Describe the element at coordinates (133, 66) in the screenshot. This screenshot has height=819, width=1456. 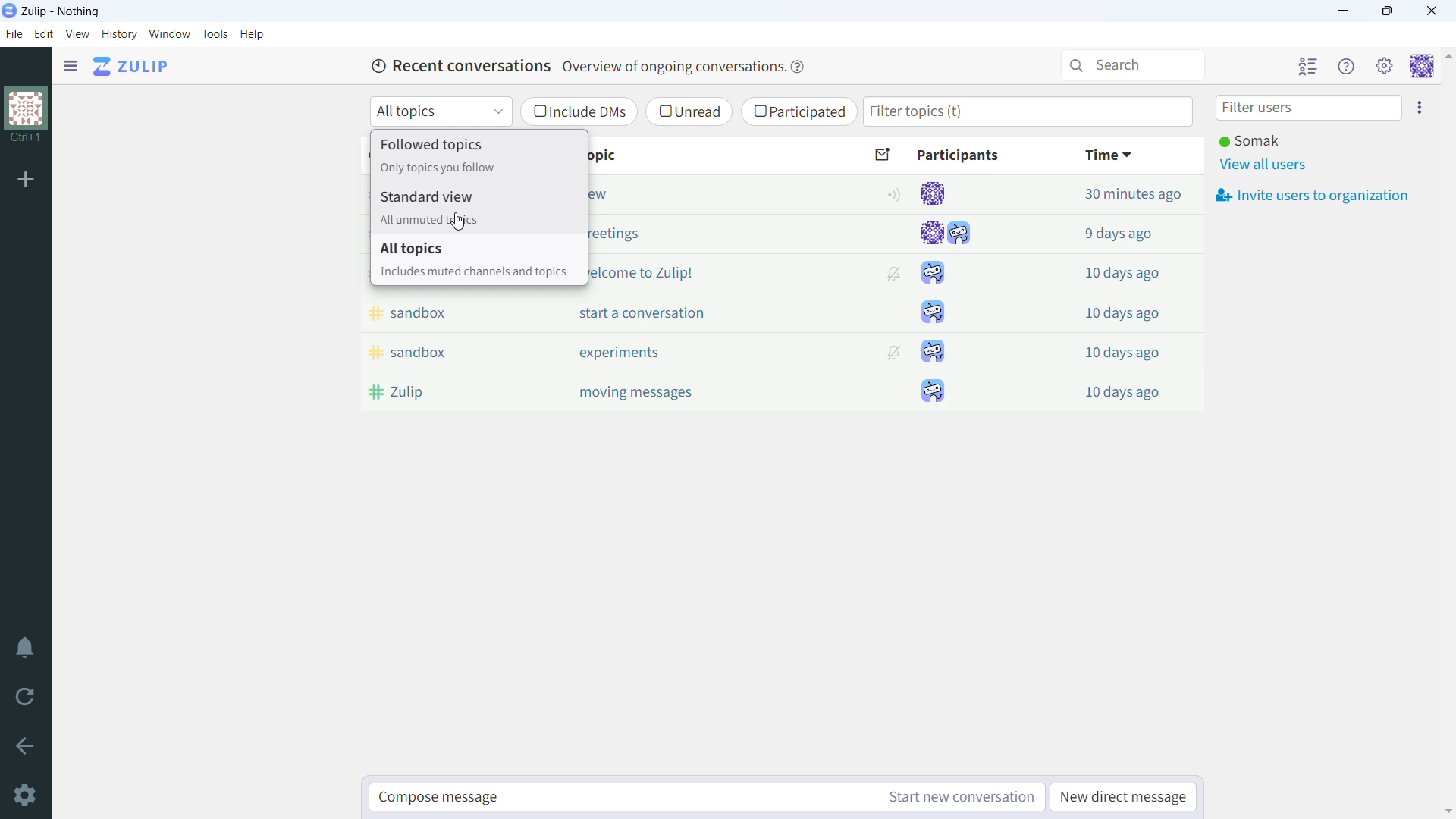
I see `go to home view` at that location.